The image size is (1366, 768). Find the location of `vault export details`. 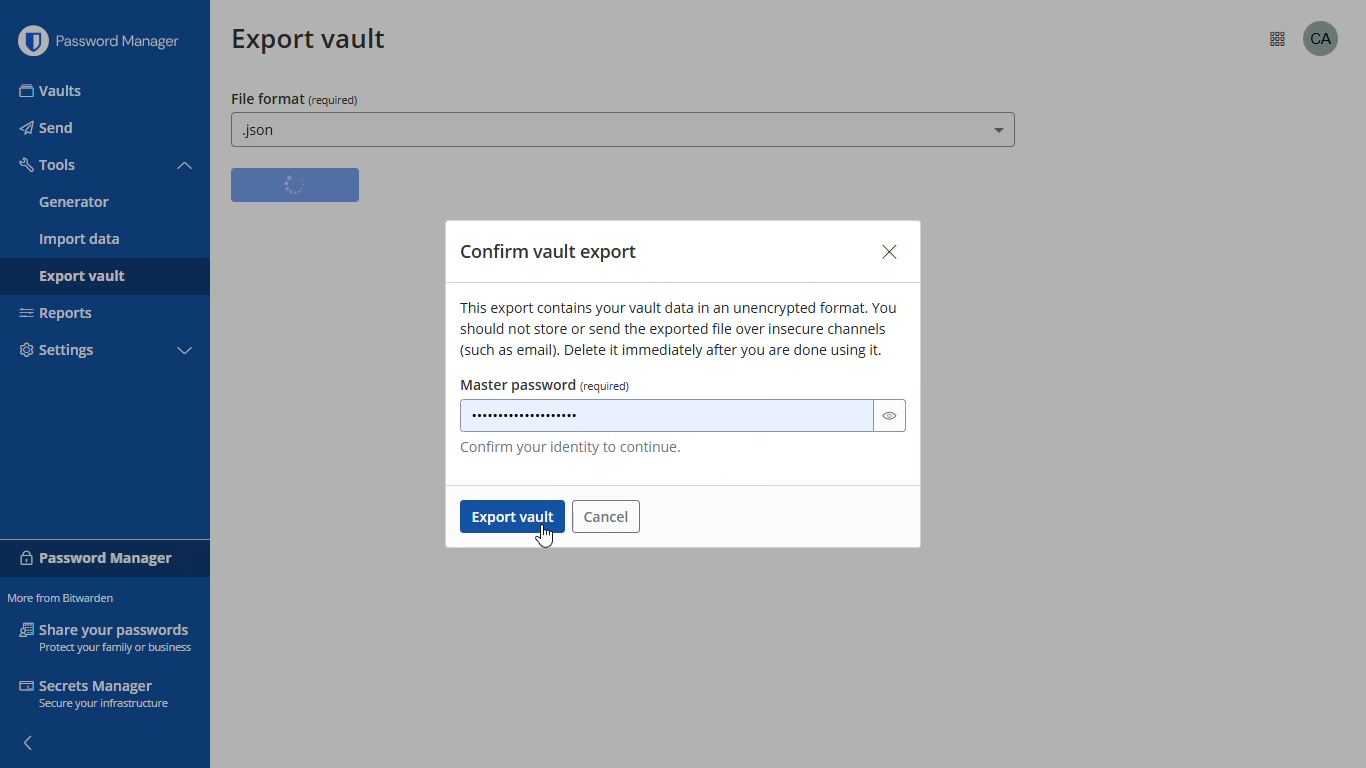

vault export details is located at coordinates (679, 329).